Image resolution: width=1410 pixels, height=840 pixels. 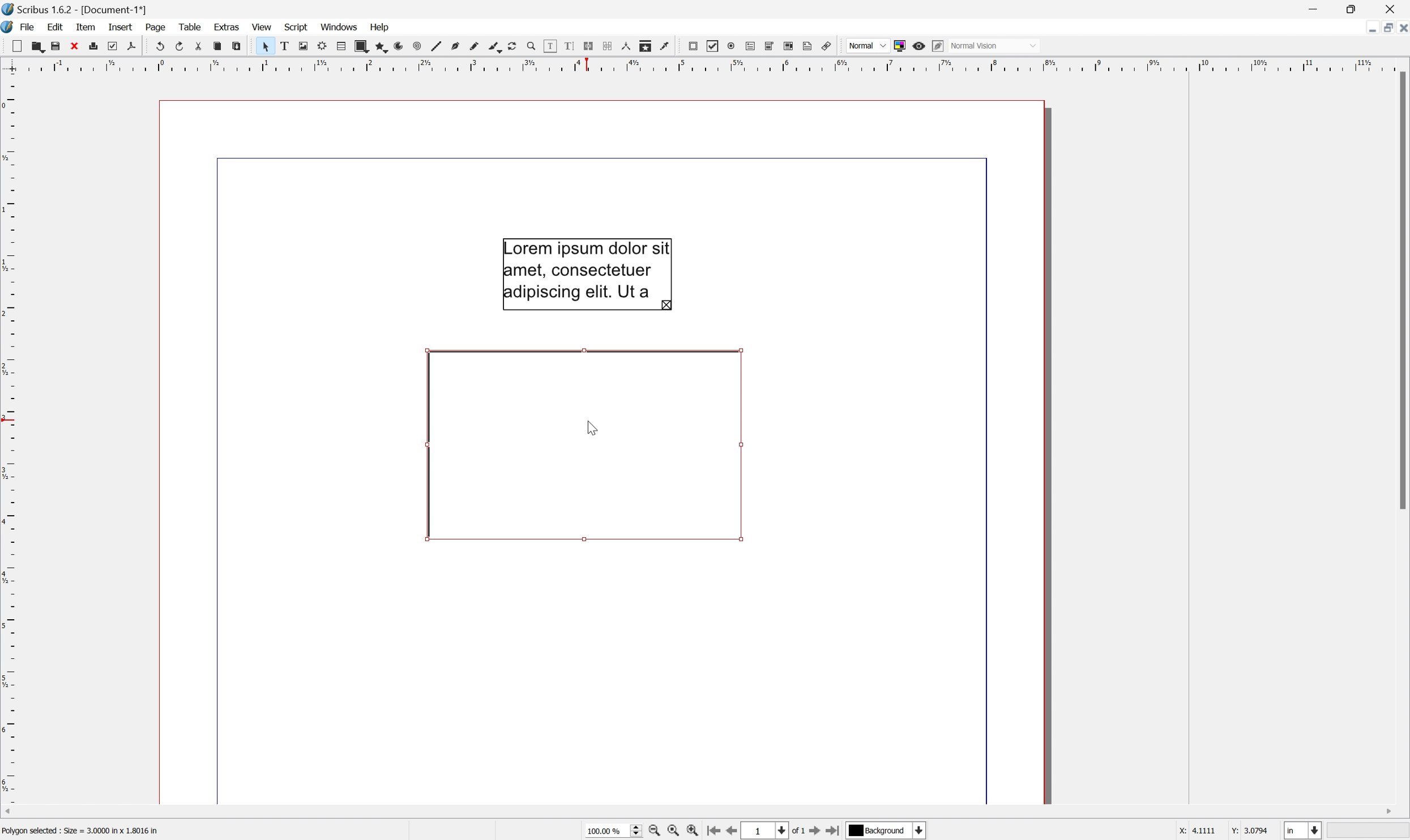 I want to click on Windows, so click(x=342, y=28).